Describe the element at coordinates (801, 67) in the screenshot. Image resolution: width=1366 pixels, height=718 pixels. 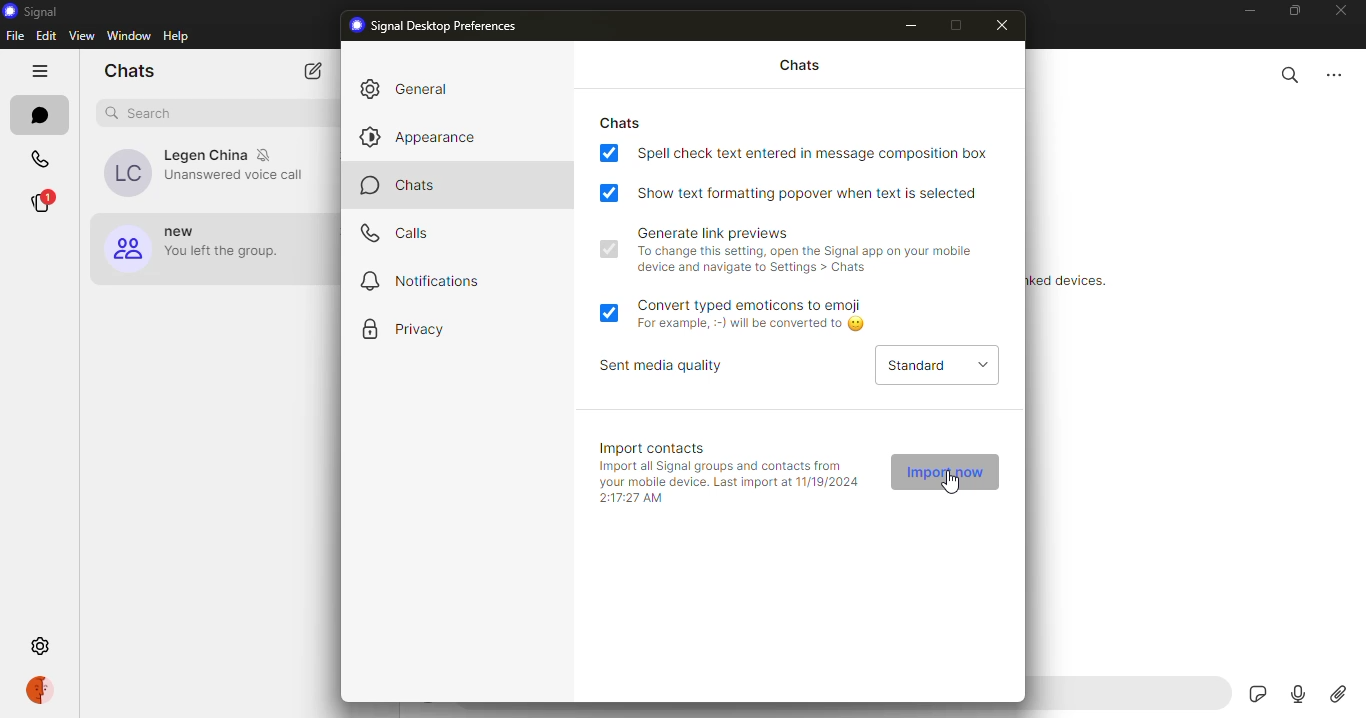
I see `chats` at that location.